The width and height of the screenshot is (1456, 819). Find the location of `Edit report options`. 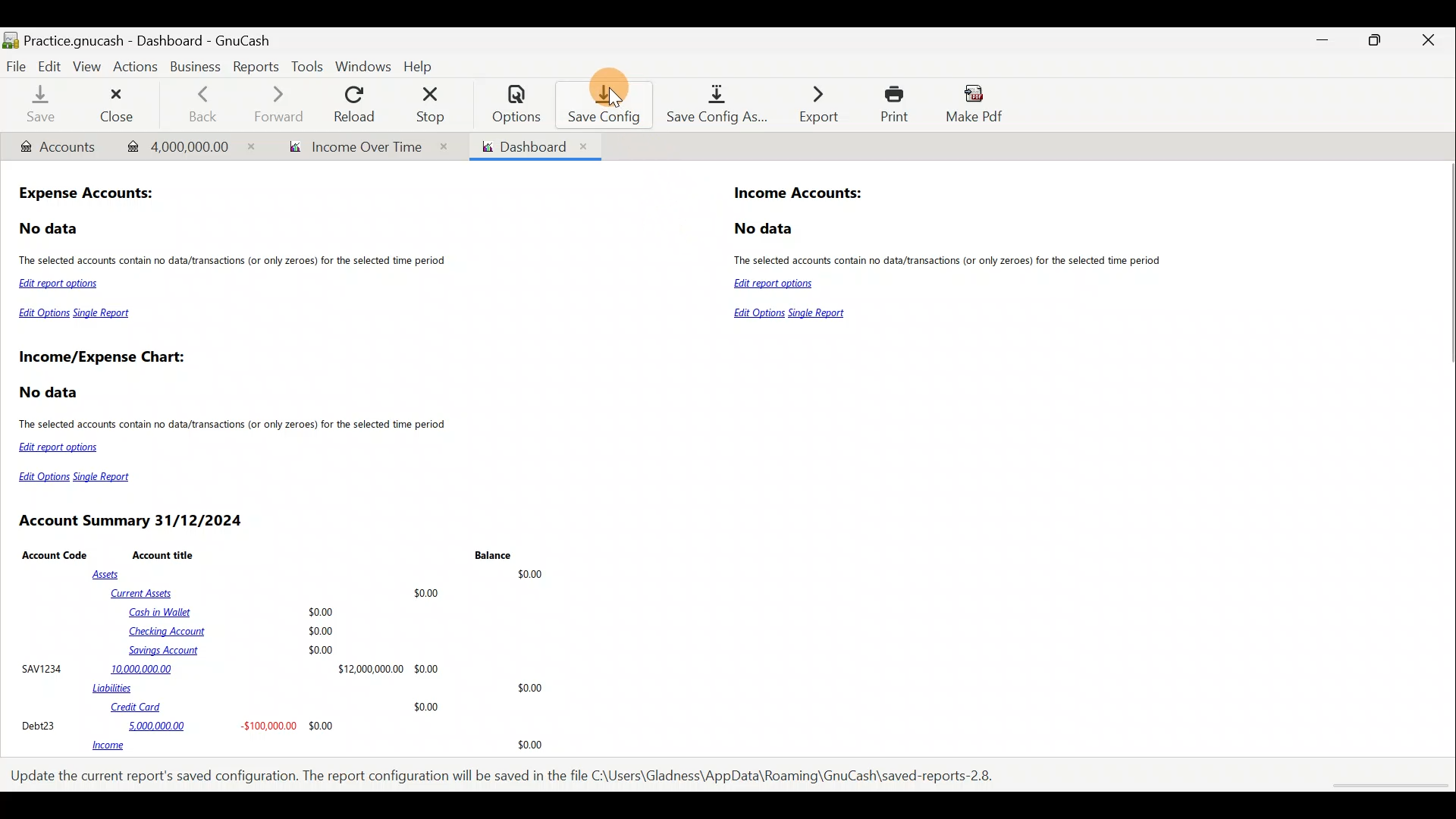

Edit report options is located at coordinates (61, 447).